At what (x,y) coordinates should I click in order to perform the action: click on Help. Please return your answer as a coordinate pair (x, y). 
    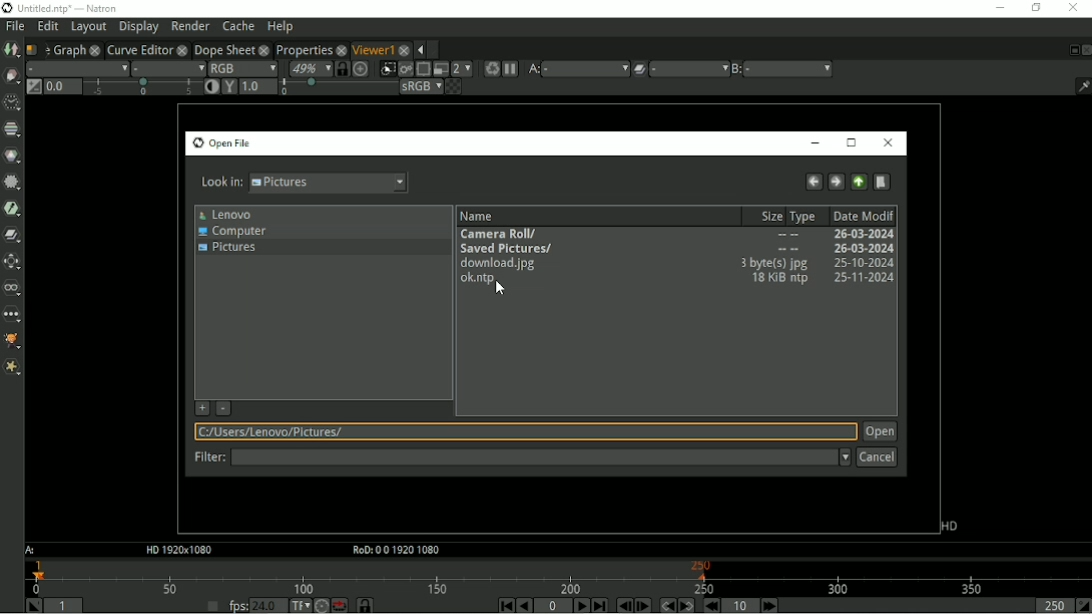
    Looking at the image, I should click on (279, 27).